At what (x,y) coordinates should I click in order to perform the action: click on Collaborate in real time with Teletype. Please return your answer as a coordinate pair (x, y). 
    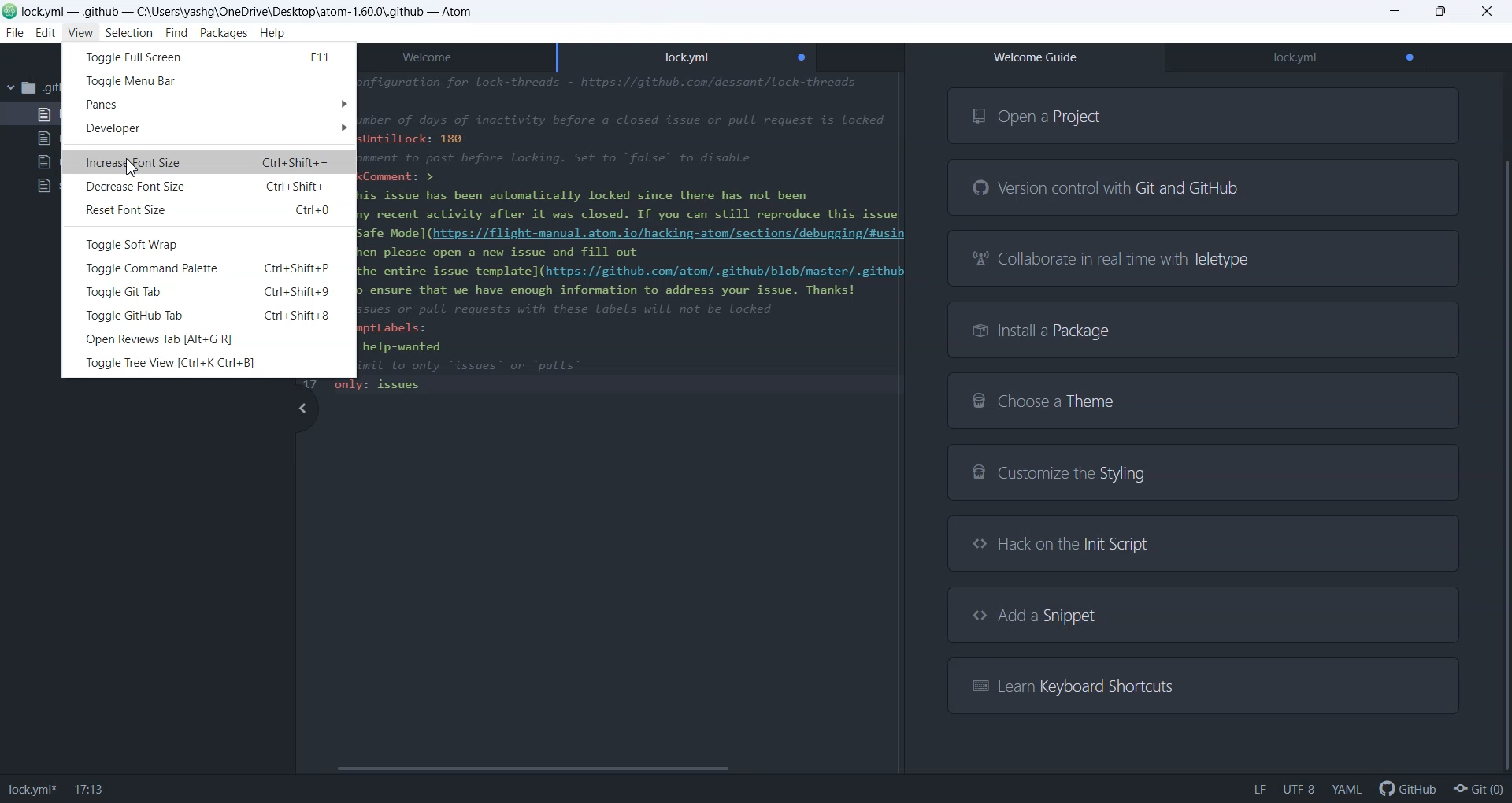
    Looking at the image, I should click on (1205, 257).